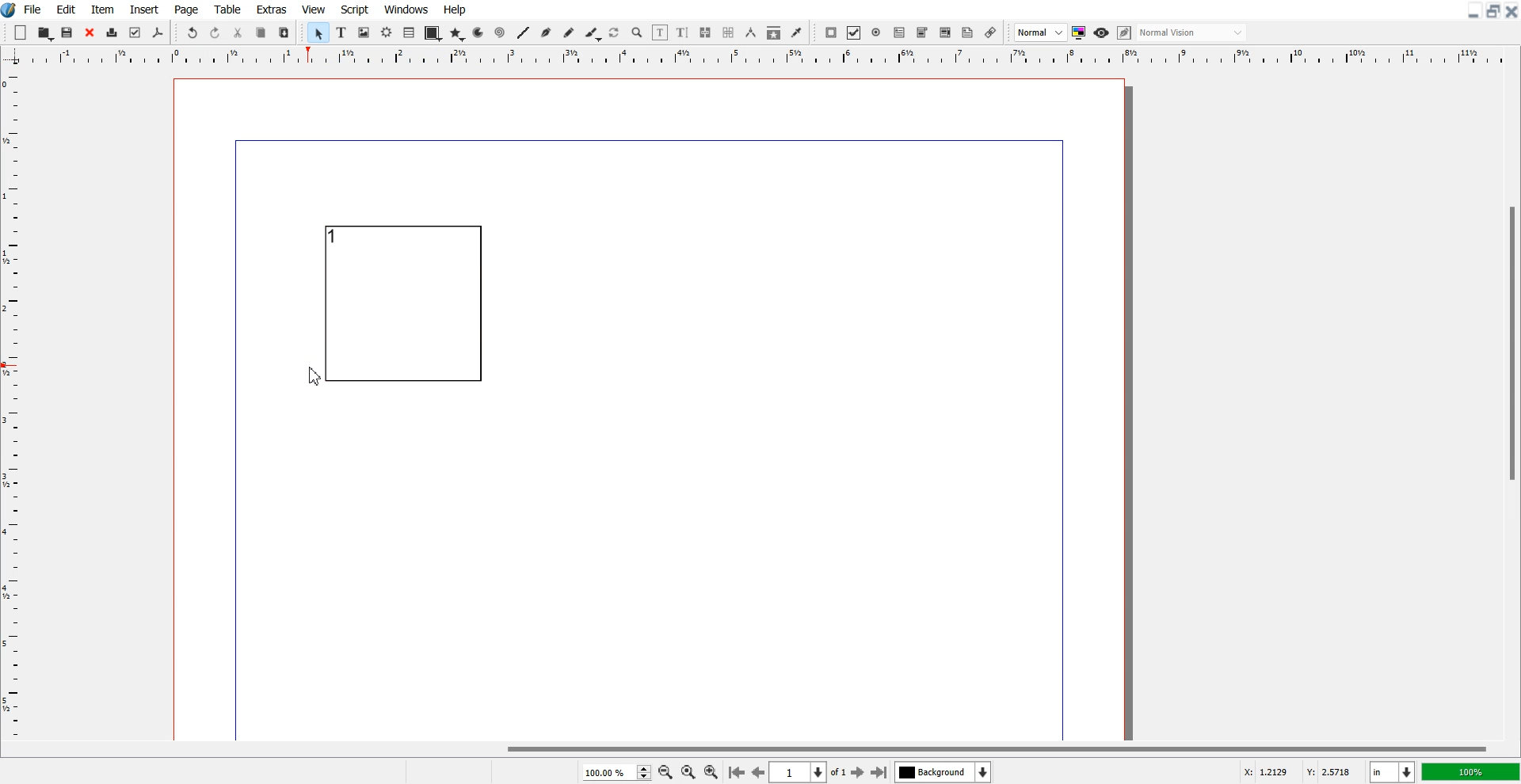  I want to click on Save, so click(68, 32).